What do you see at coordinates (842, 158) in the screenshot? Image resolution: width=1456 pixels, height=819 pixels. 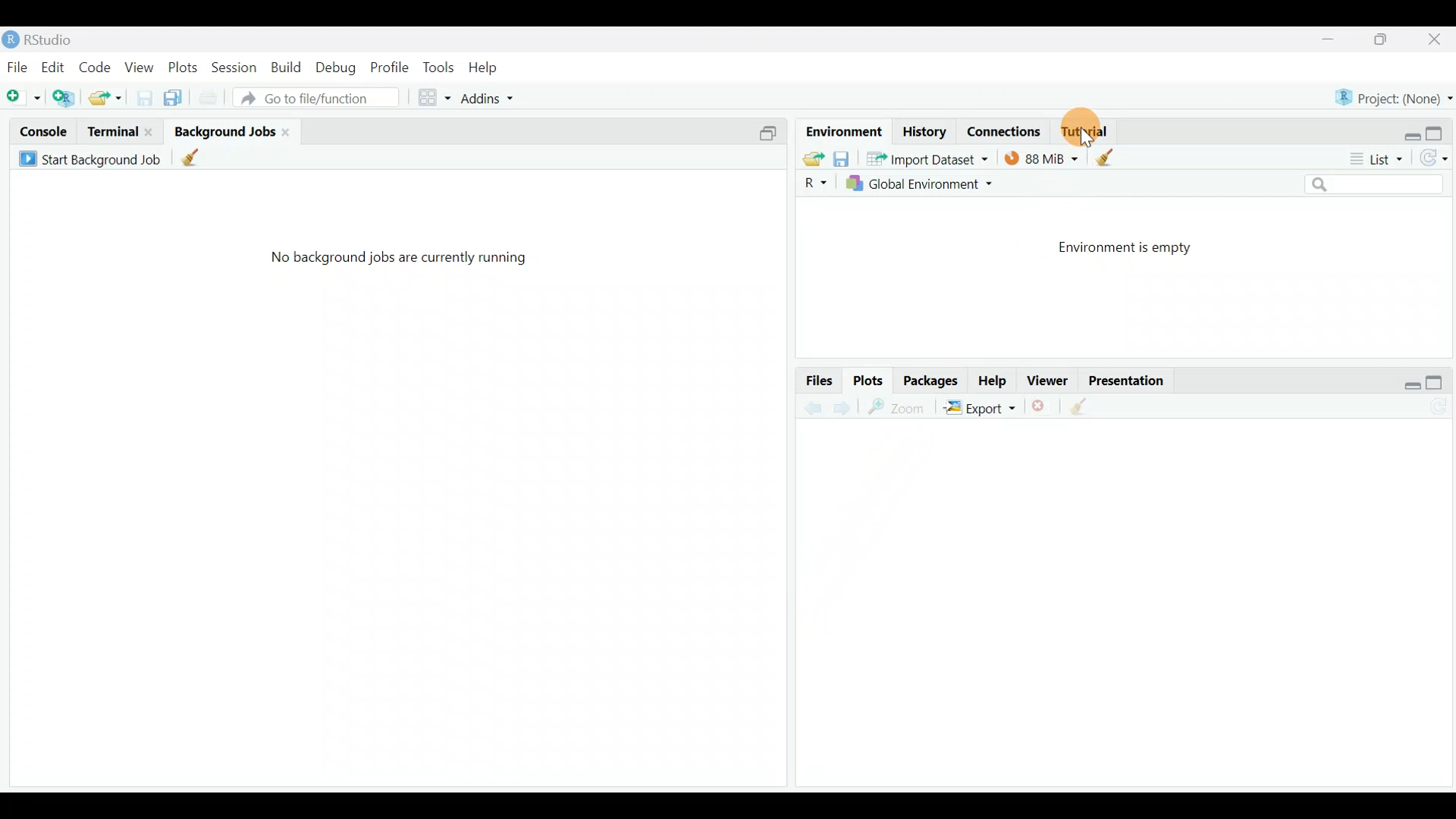 I see `Save workspace as` at bounding box center [842, 158].